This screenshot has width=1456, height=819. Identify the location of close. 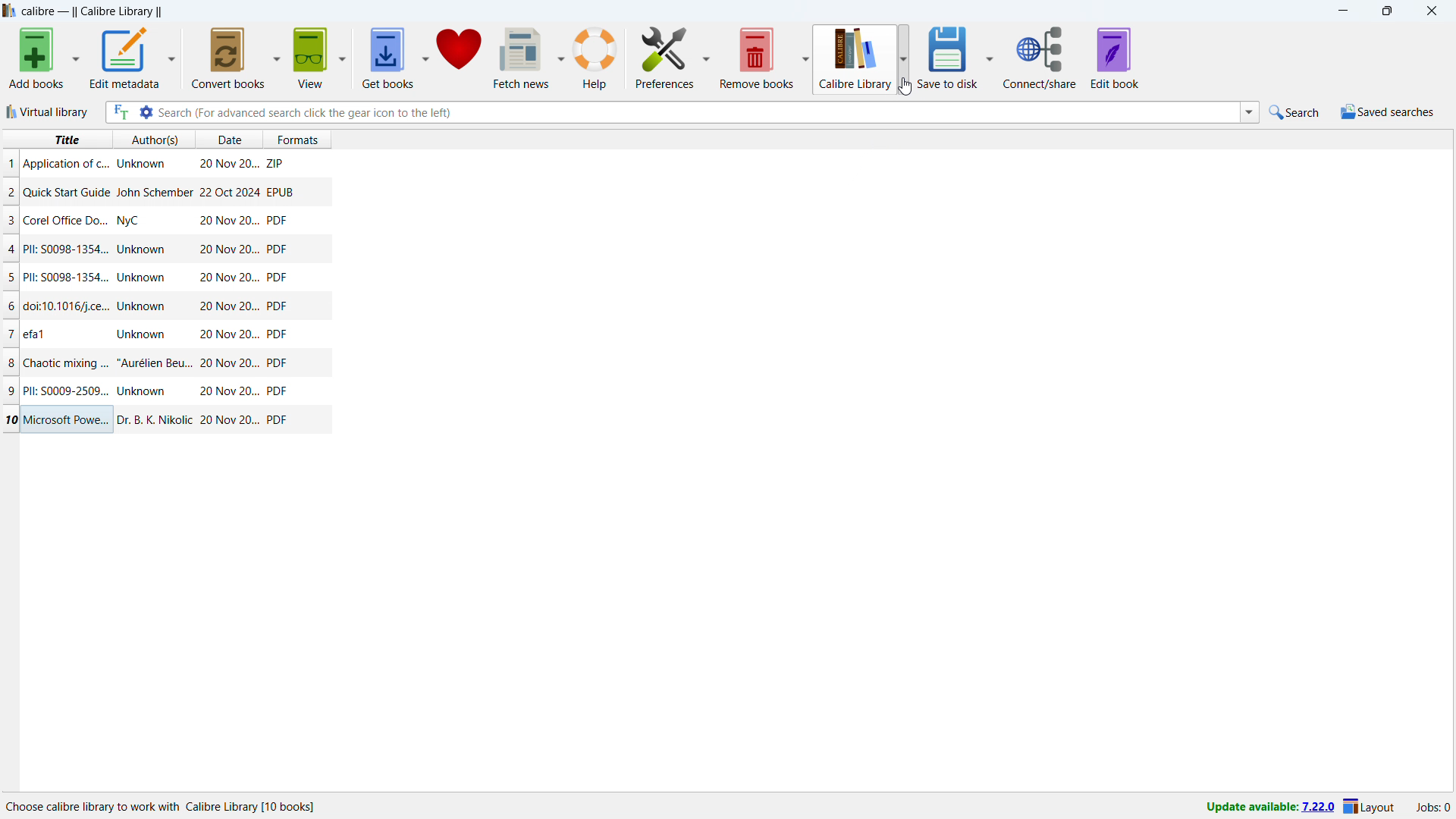
(1432, 11).